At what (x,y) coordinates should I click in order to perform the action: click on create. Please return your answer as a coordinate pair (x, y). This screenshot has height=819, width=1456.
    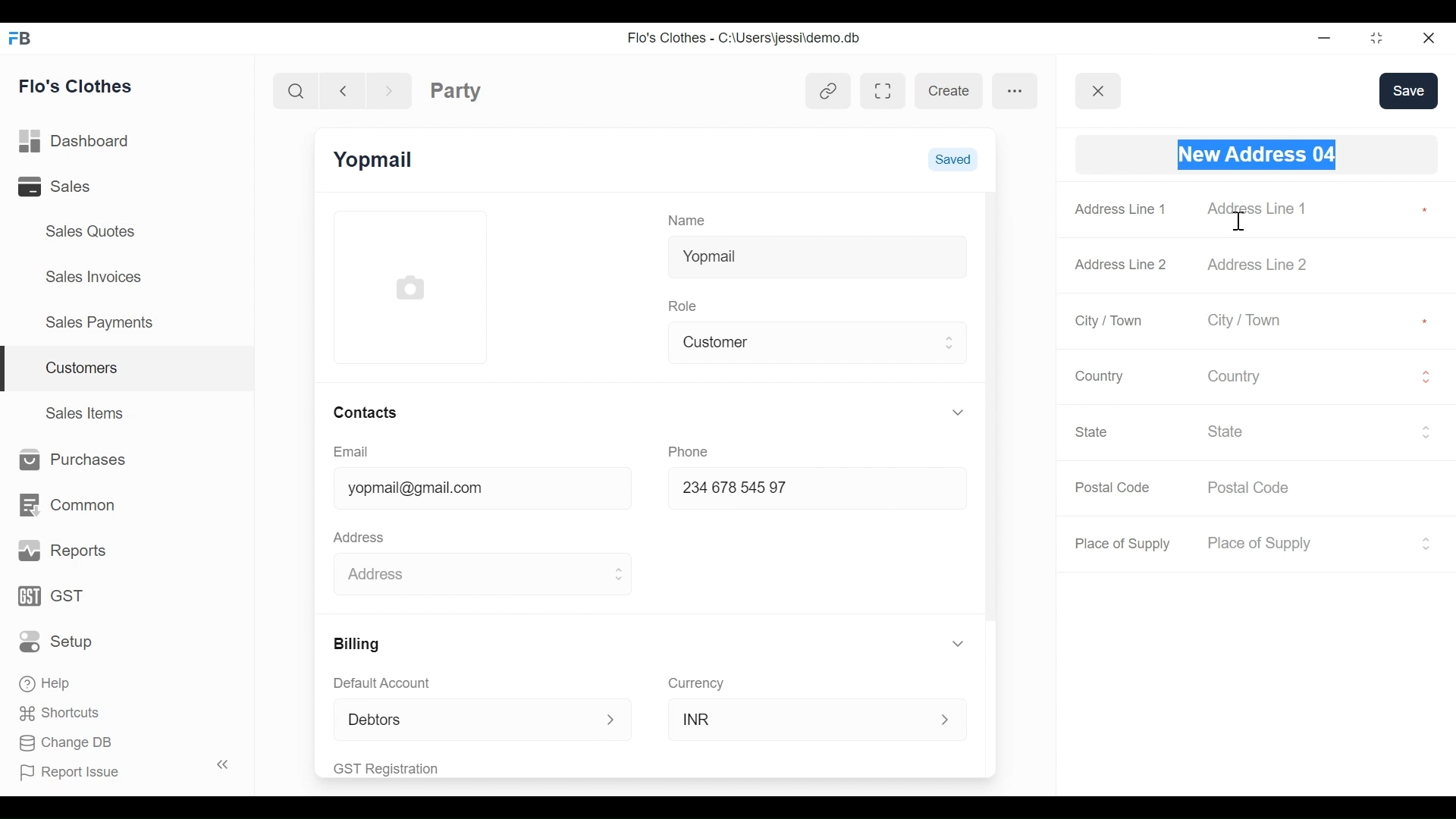
    Looking at the image, I should click on (948, 91).